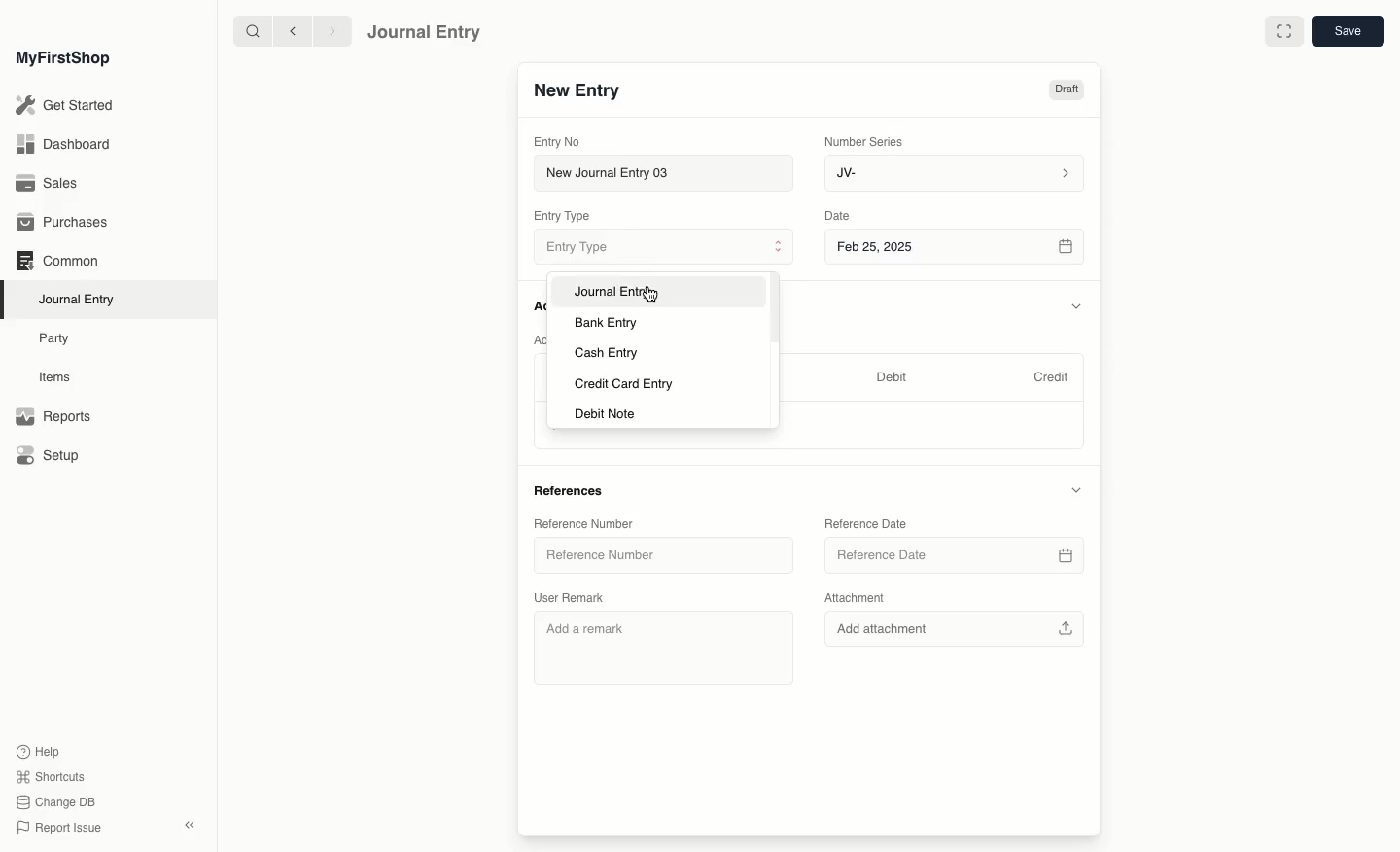 The height and width of the screenshot is (852, 1400). Describe the element at coordinates (838, 216) in the screenshot. I see `Date` at that location.